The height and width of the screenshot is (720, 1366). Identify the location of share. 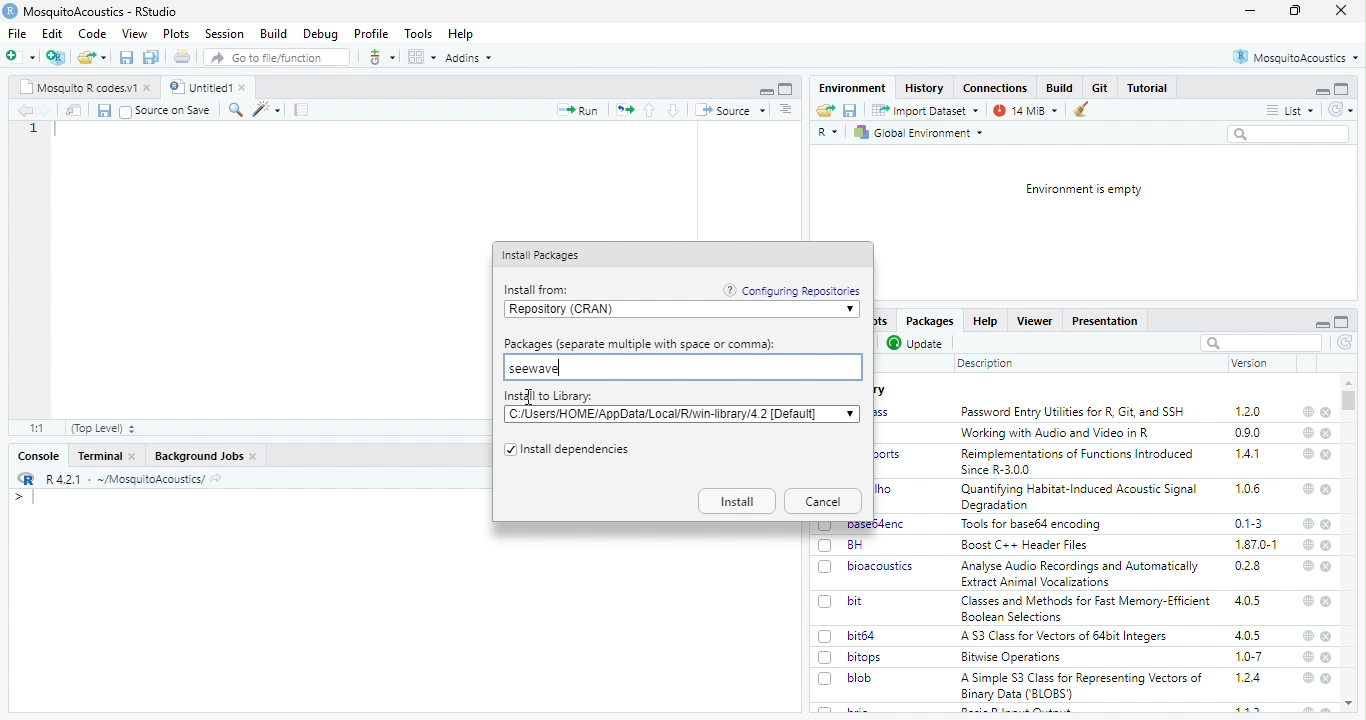
(826, 110).